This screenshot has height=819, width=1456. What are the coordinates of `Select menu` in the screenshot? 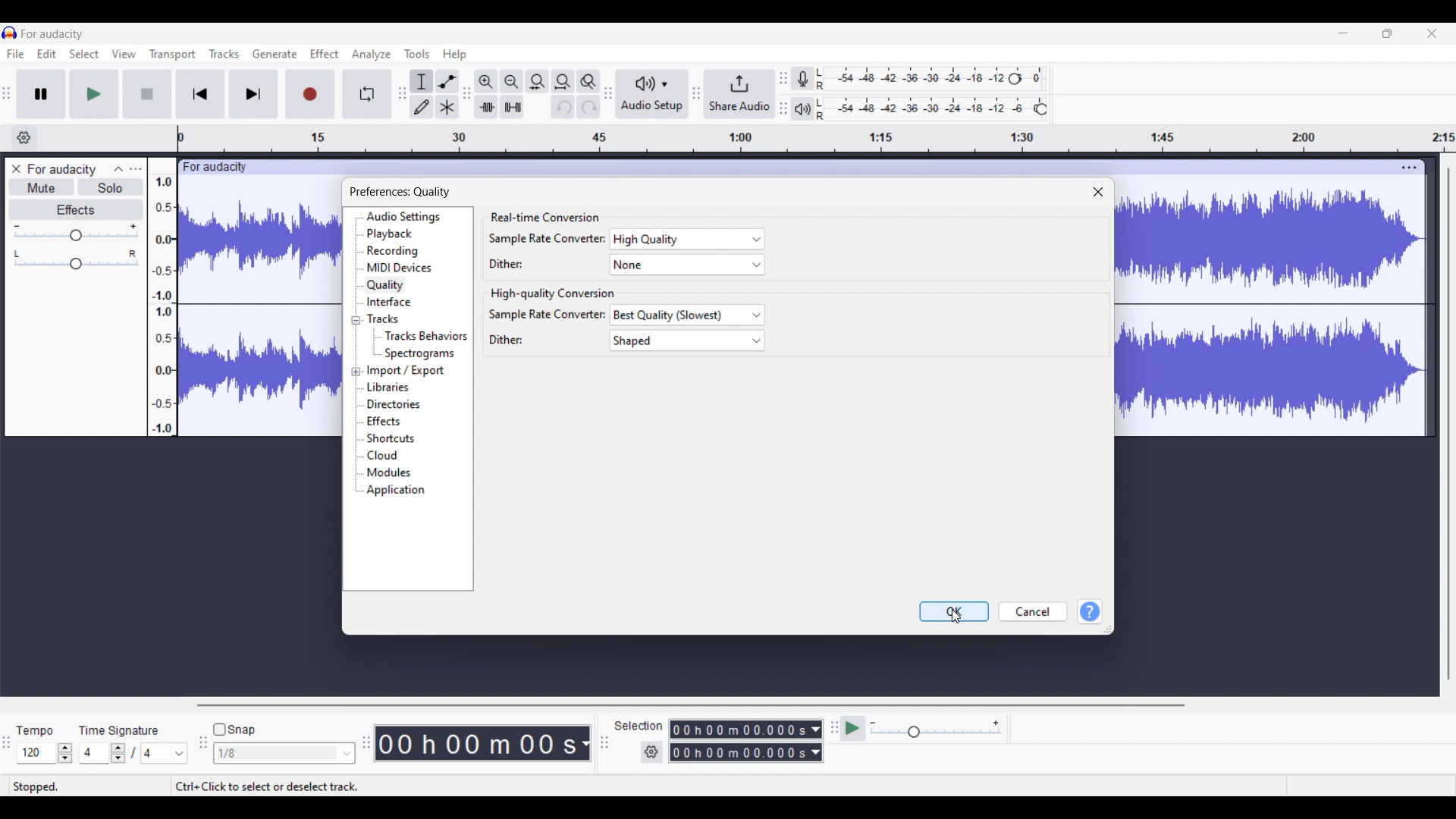 It's located at (84, 53).